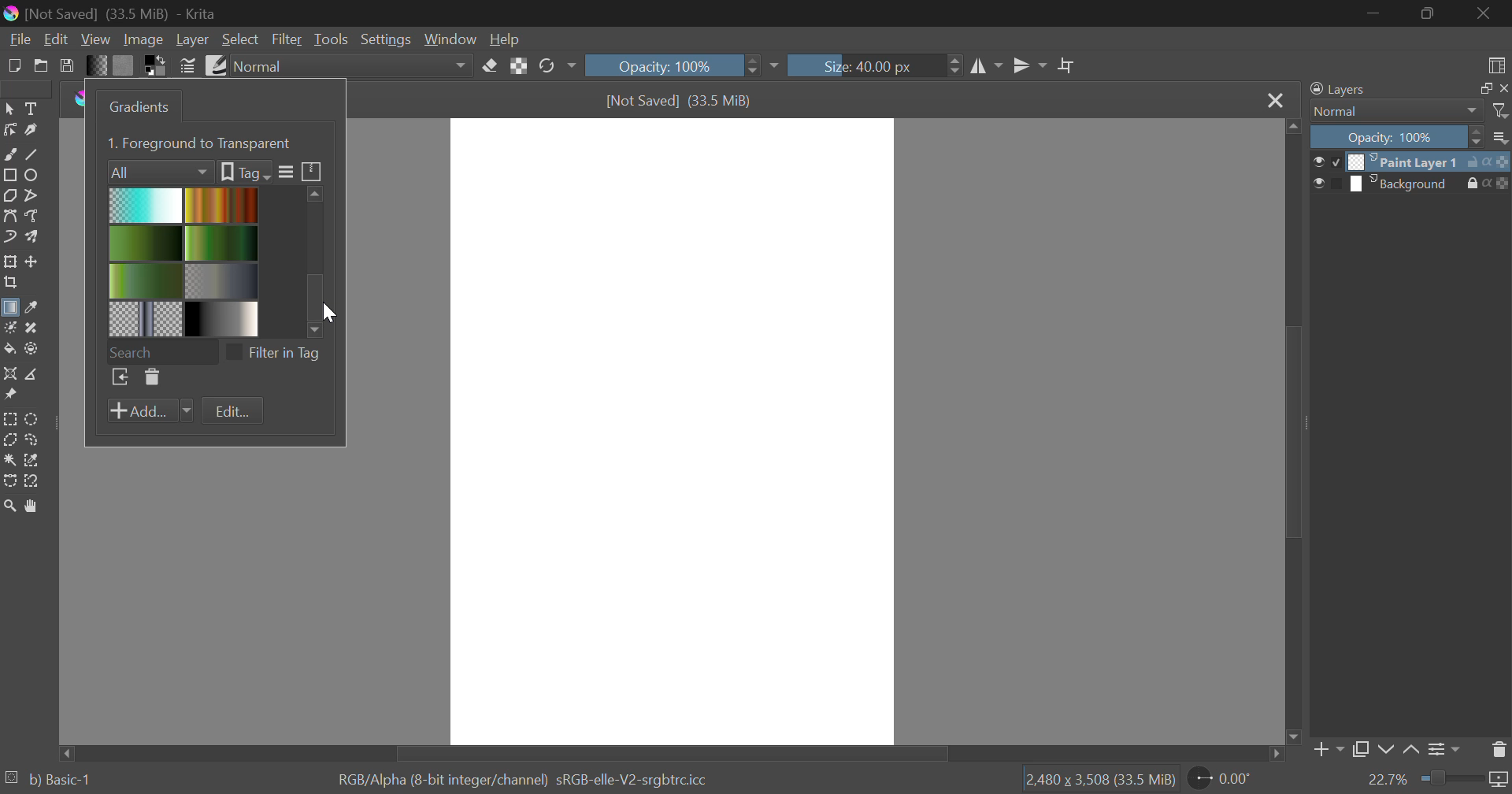 This screenshot has width=1512, height=794. I want to click on 22.7%, so click(1437, 781).